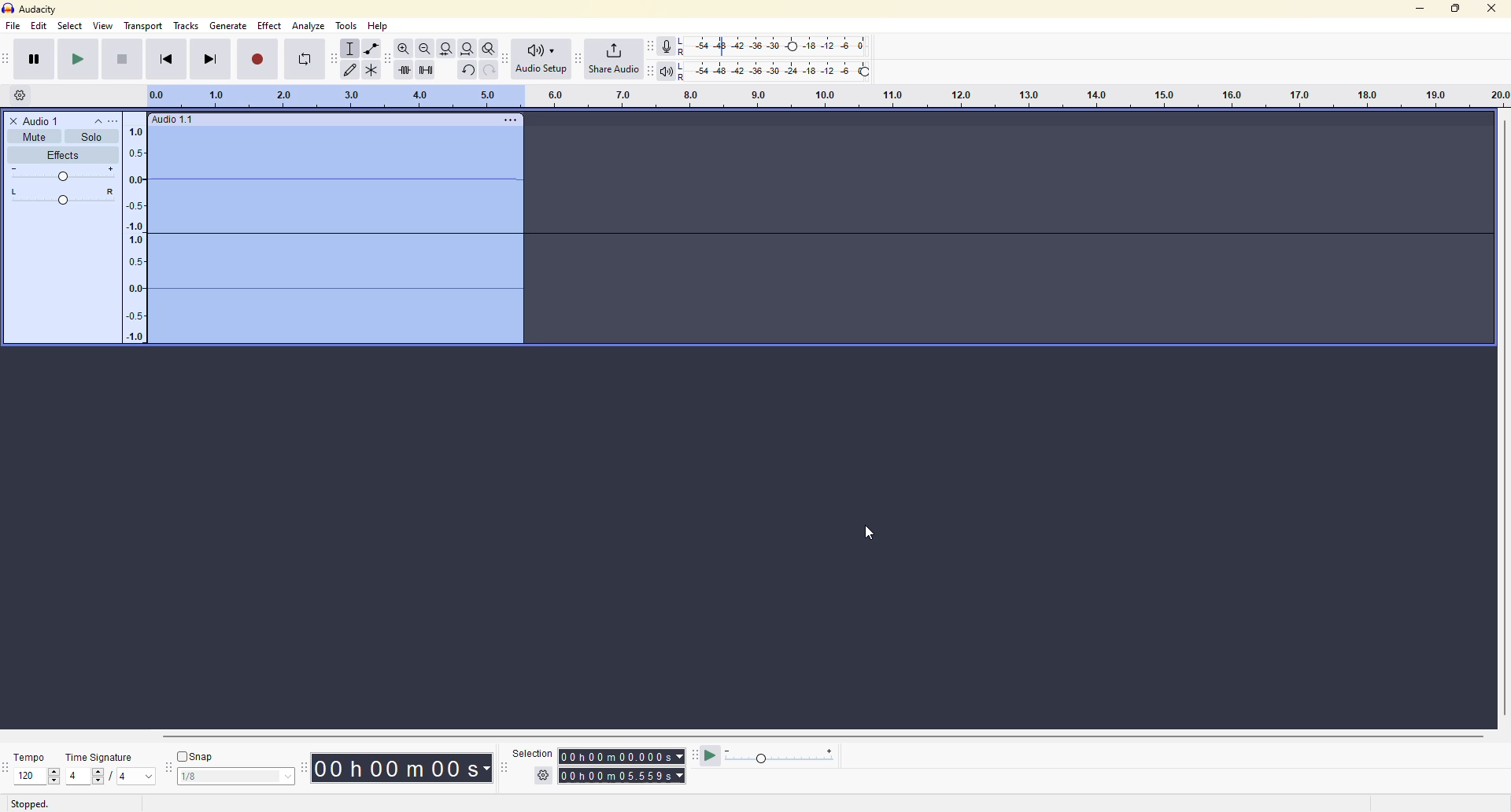 Image resolution: width=1511 pixels, height=812 pixels. I want to click on more, so click(119, 121).